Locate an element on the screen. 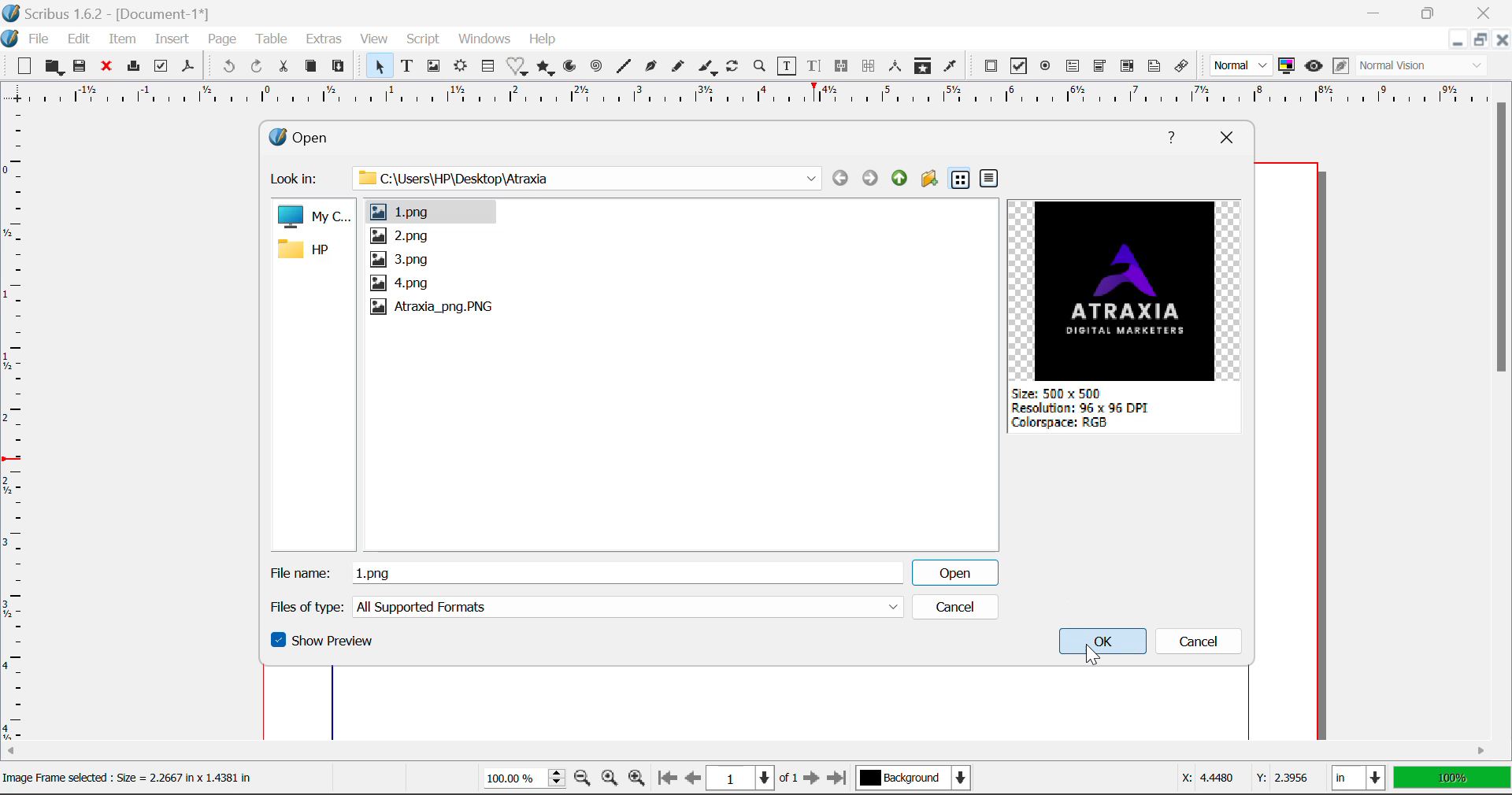 Image resolution: width=1512 pixels, height=795 pixels. Size: 500 x 500
Resolution: 96 x 96 DPT
Colorspace: RGB is located at coordinates (1087, 413).